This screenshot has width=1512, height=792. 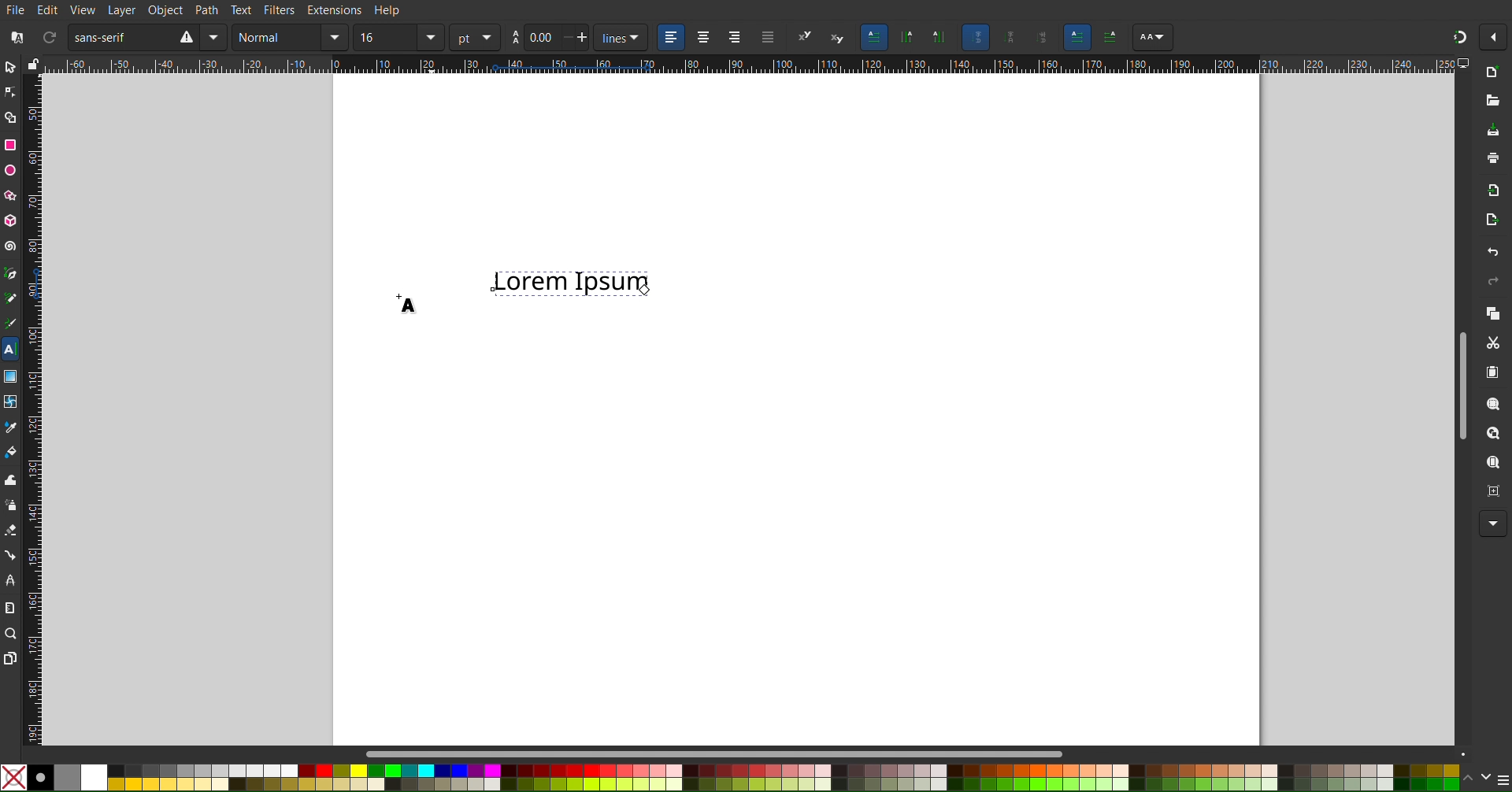 What do you see at coordinates (1006, 37) in the screenshot?
I see `Scaling Objects settings` at bounding box center [1006, 37].